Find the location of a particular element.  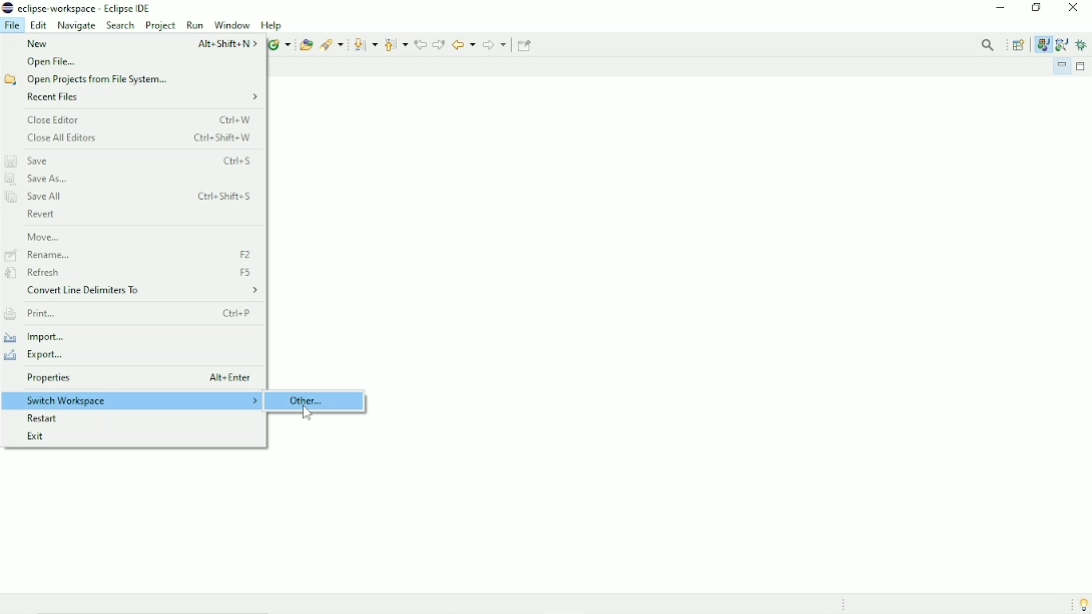

New java class is located at coordinates (279, 45).